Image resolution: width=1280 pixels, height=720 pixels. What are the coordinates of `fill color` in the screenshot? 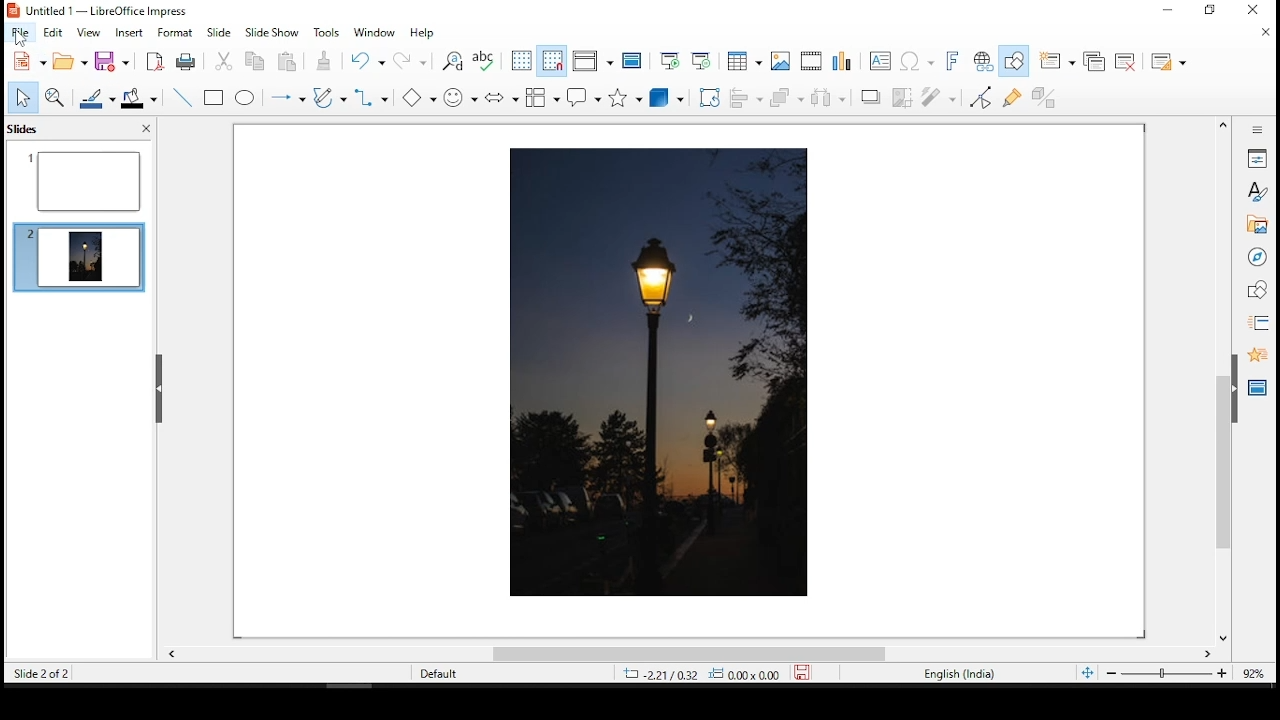 It's located at (142, 98).